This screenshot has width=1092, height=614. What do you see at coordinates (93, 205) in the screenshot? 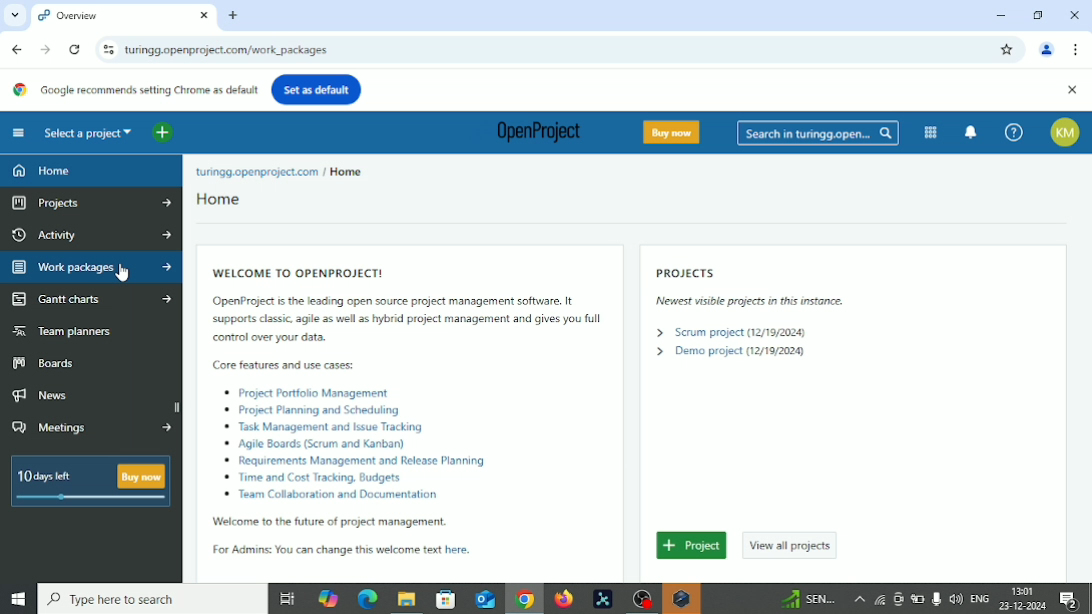
I see `Projects` at bounding box center [93, 205].